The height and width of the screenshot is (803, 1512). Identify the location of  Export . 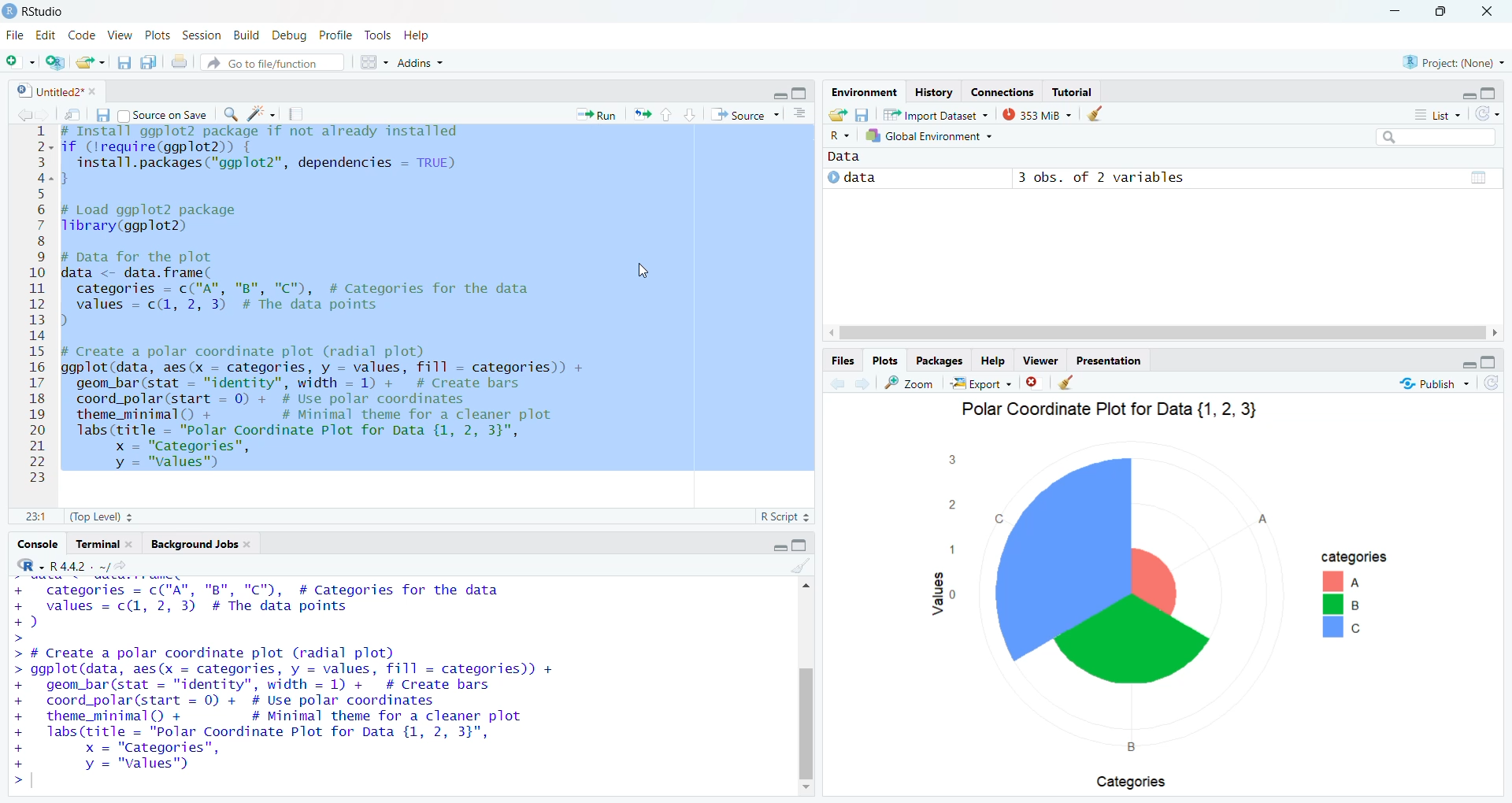
(980, 385).